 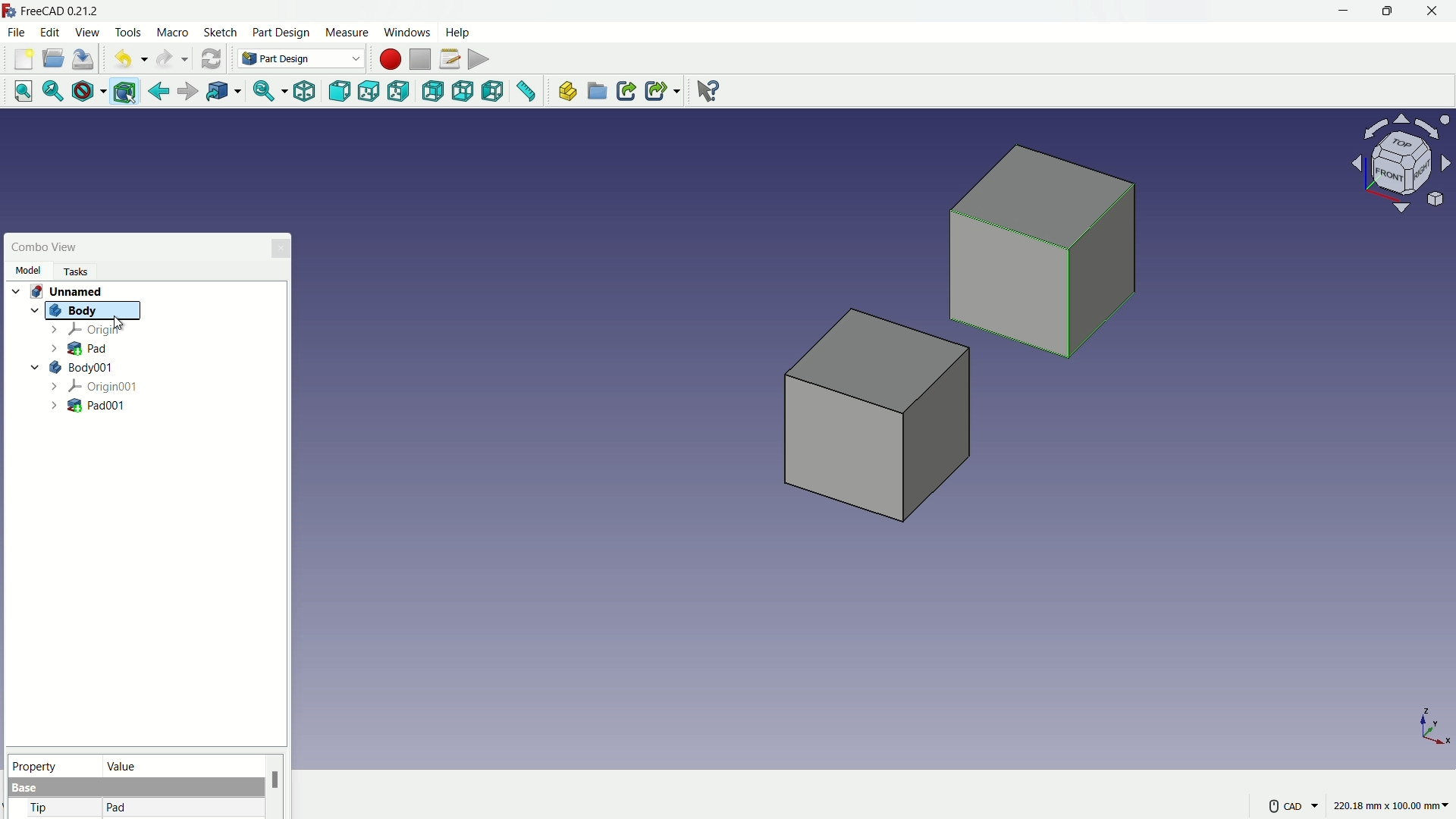 What do you see at coordinates (211, 58) in the screenshot?
I see `refresh` at bounding box center [211, 58].